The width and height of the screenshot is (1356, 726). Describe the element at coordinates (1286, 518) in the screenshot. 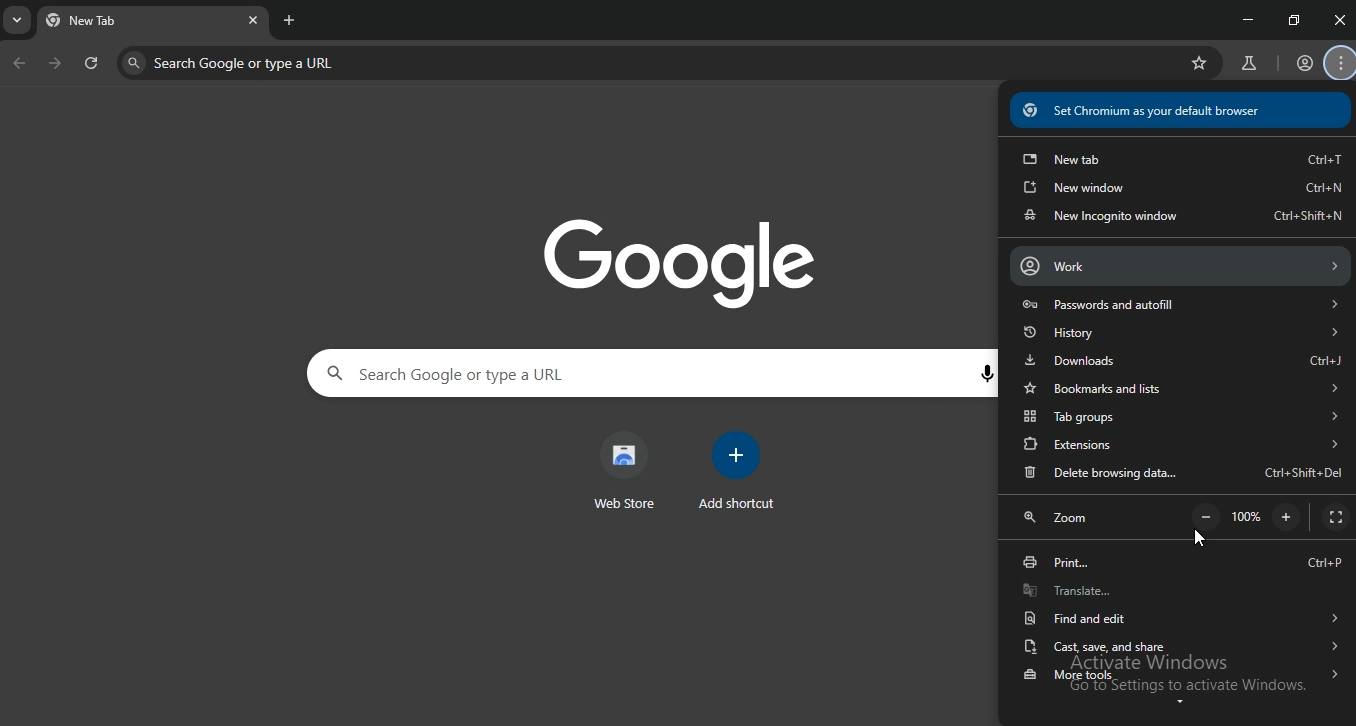

I see `zoom out` at that location.